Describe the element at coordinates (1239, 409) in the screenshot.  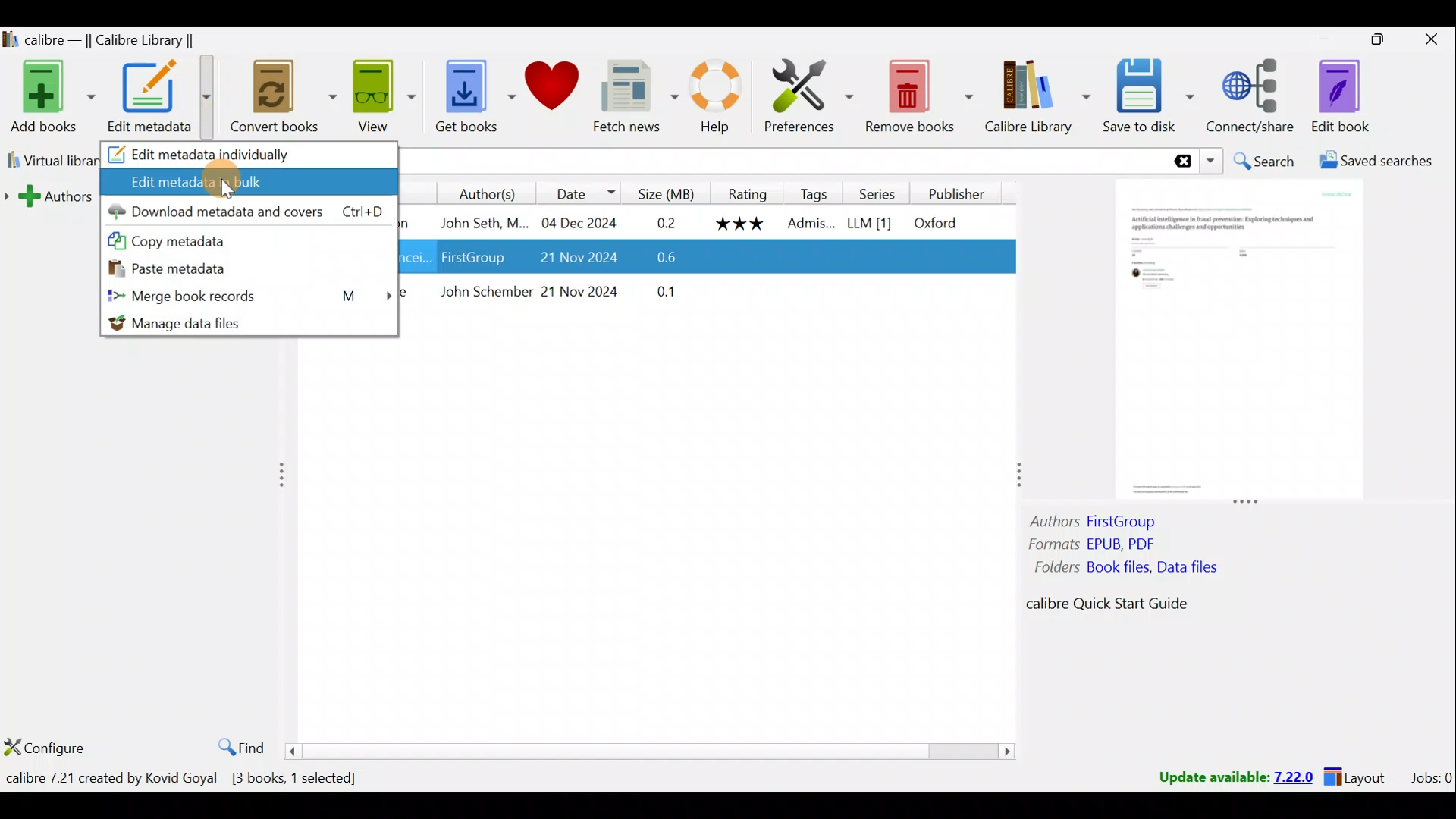
I see `Book preview column` at that location.